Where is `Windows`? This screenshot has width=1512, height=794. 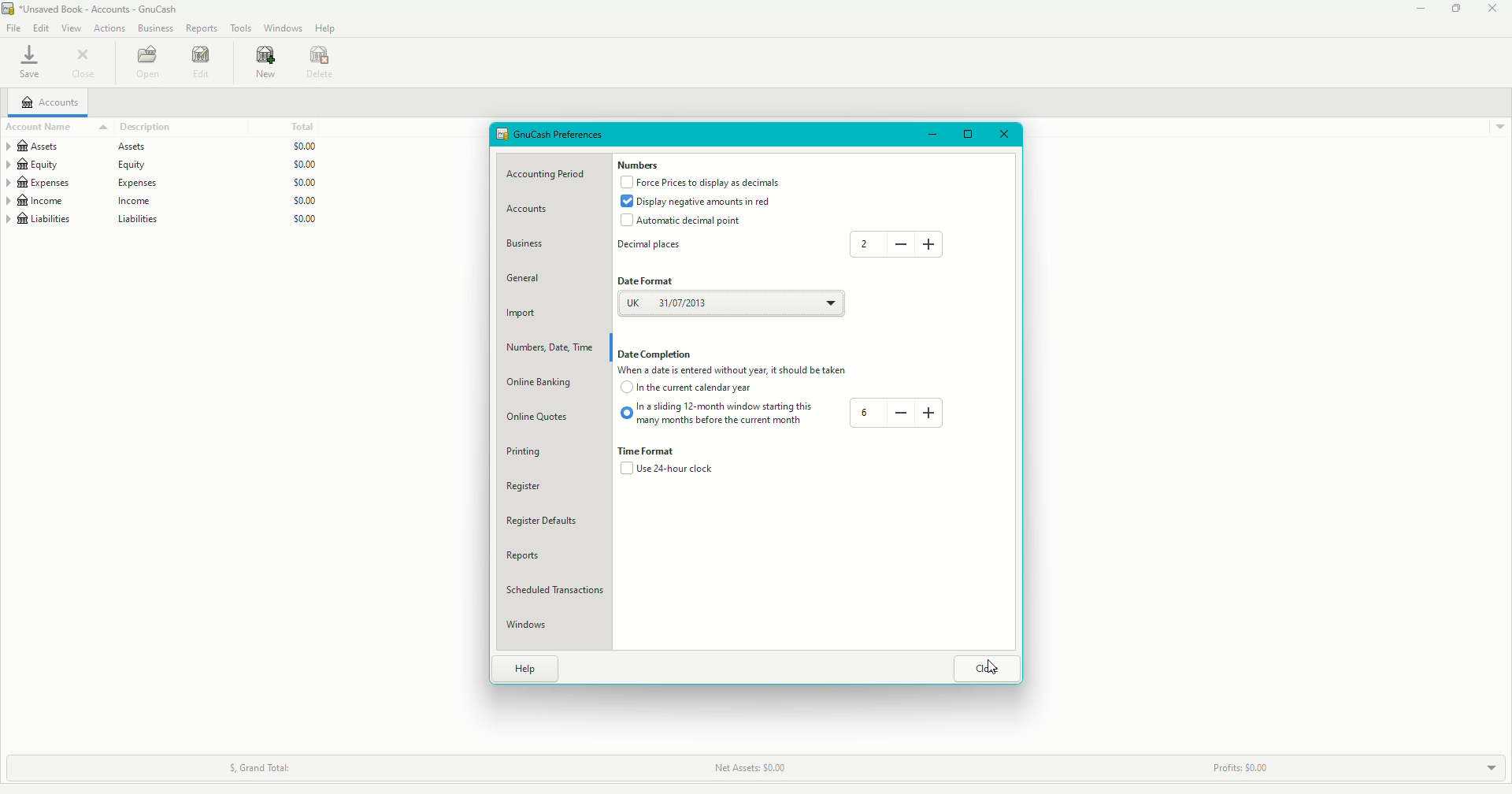
Windows is located at coordinates (282, 28).